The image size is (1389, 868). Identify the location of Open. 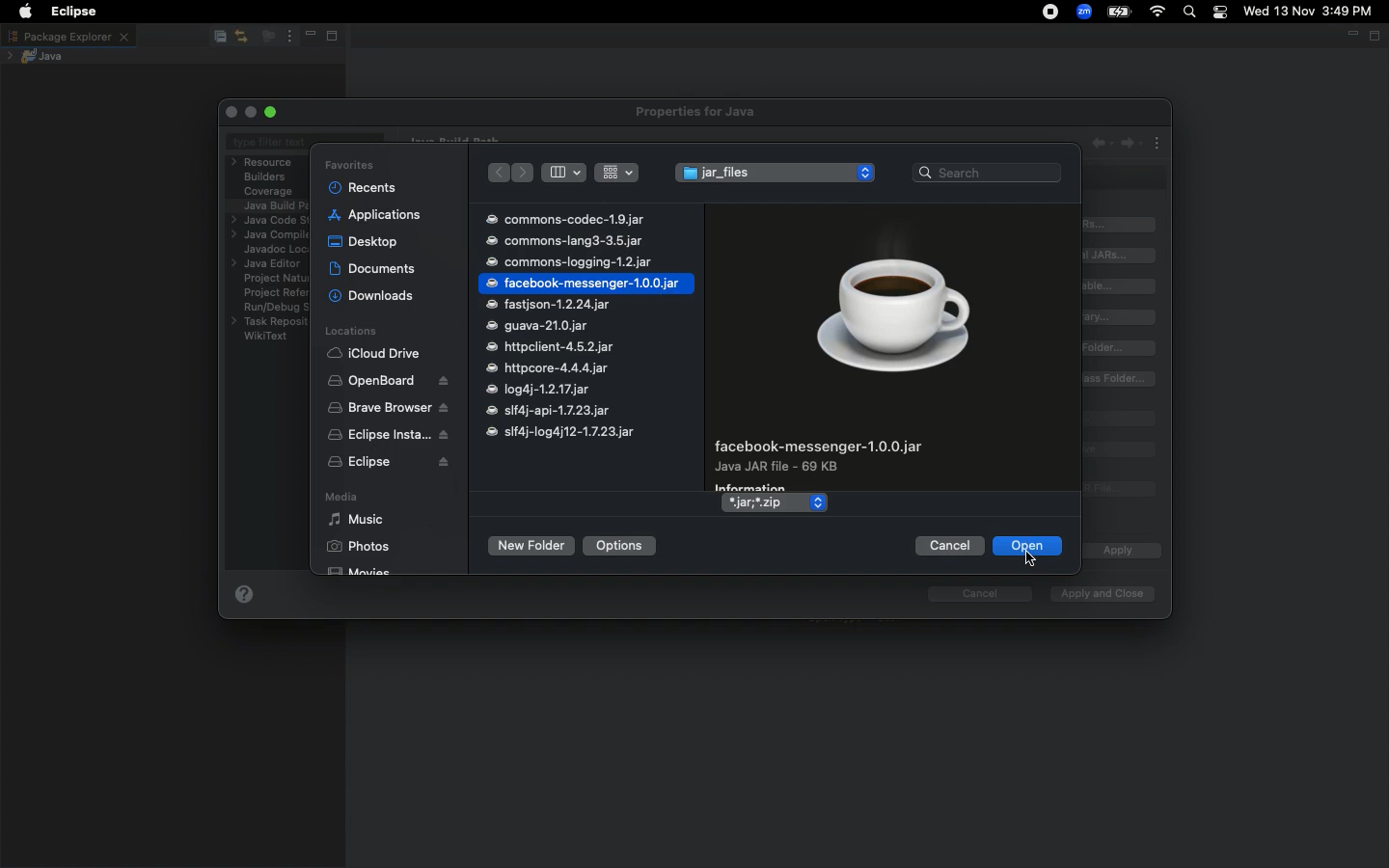
(1026, 547).